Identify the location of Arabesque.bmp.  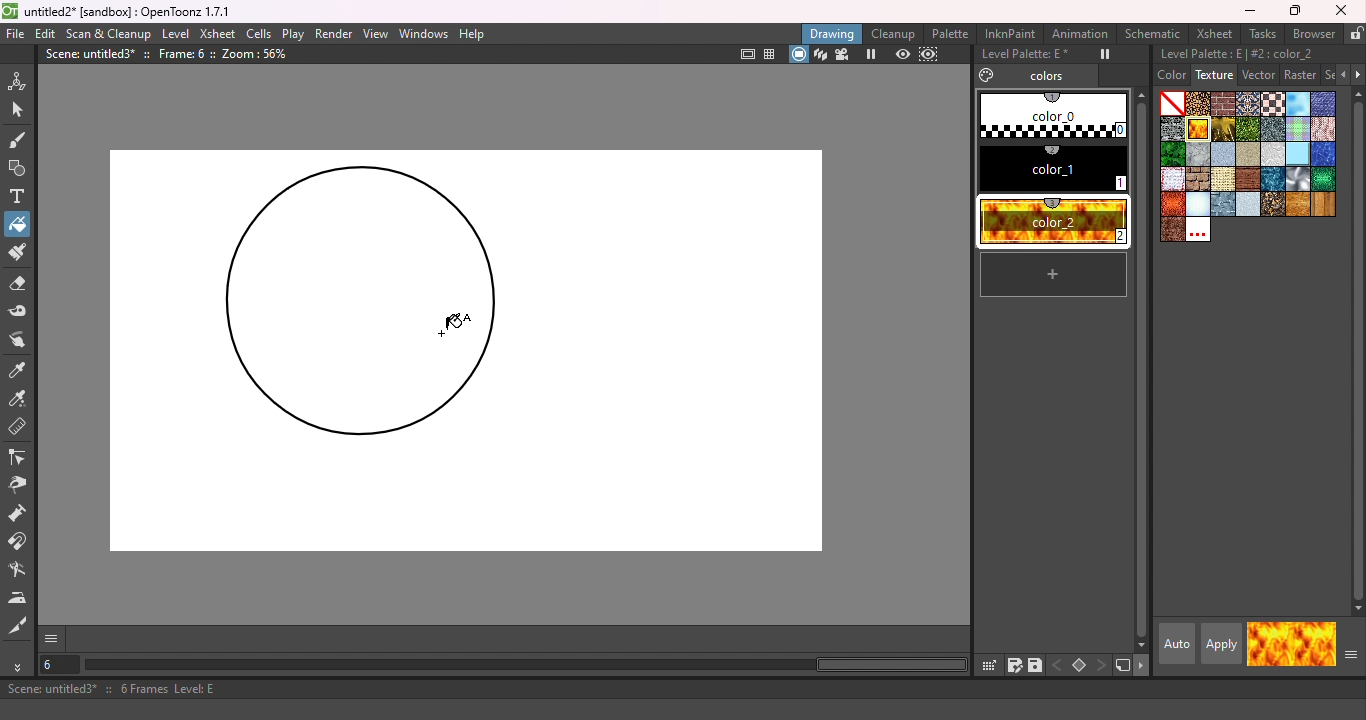
(1198, 103).